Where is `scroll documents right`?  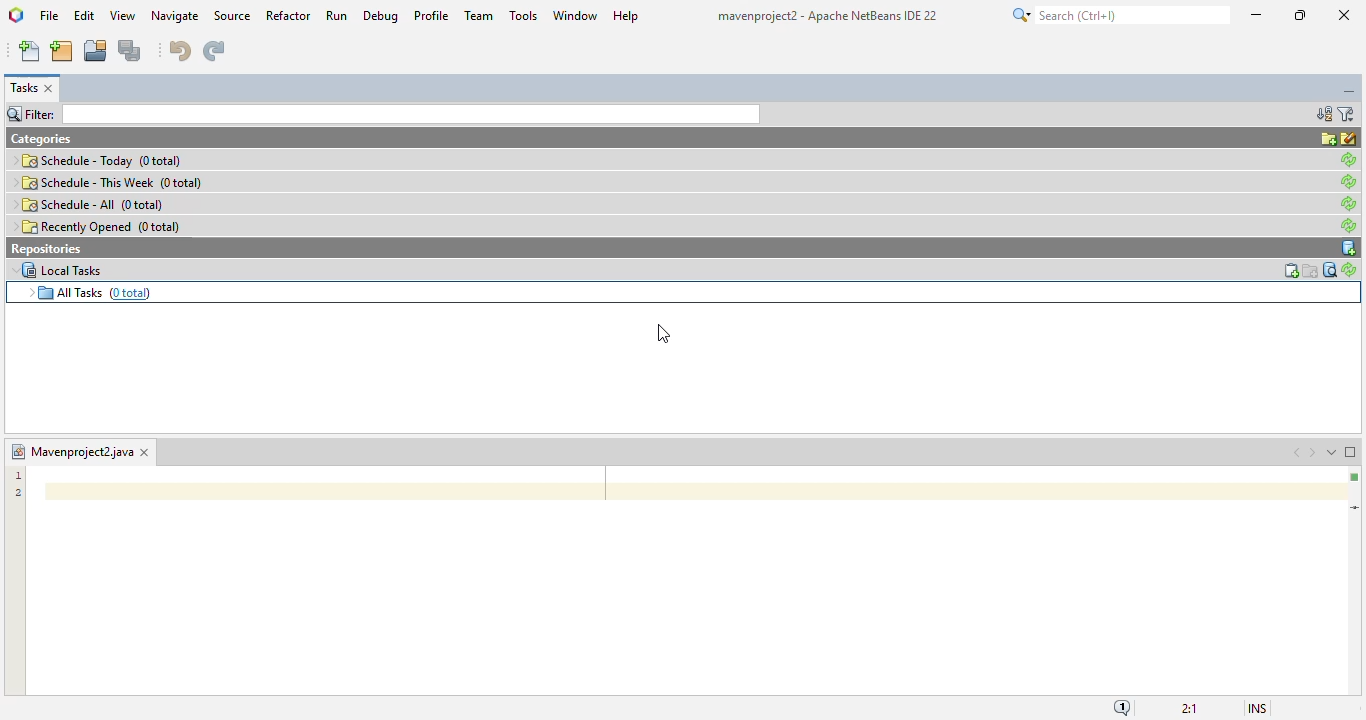 scroll documents right is located at coordinates (1315, 453).